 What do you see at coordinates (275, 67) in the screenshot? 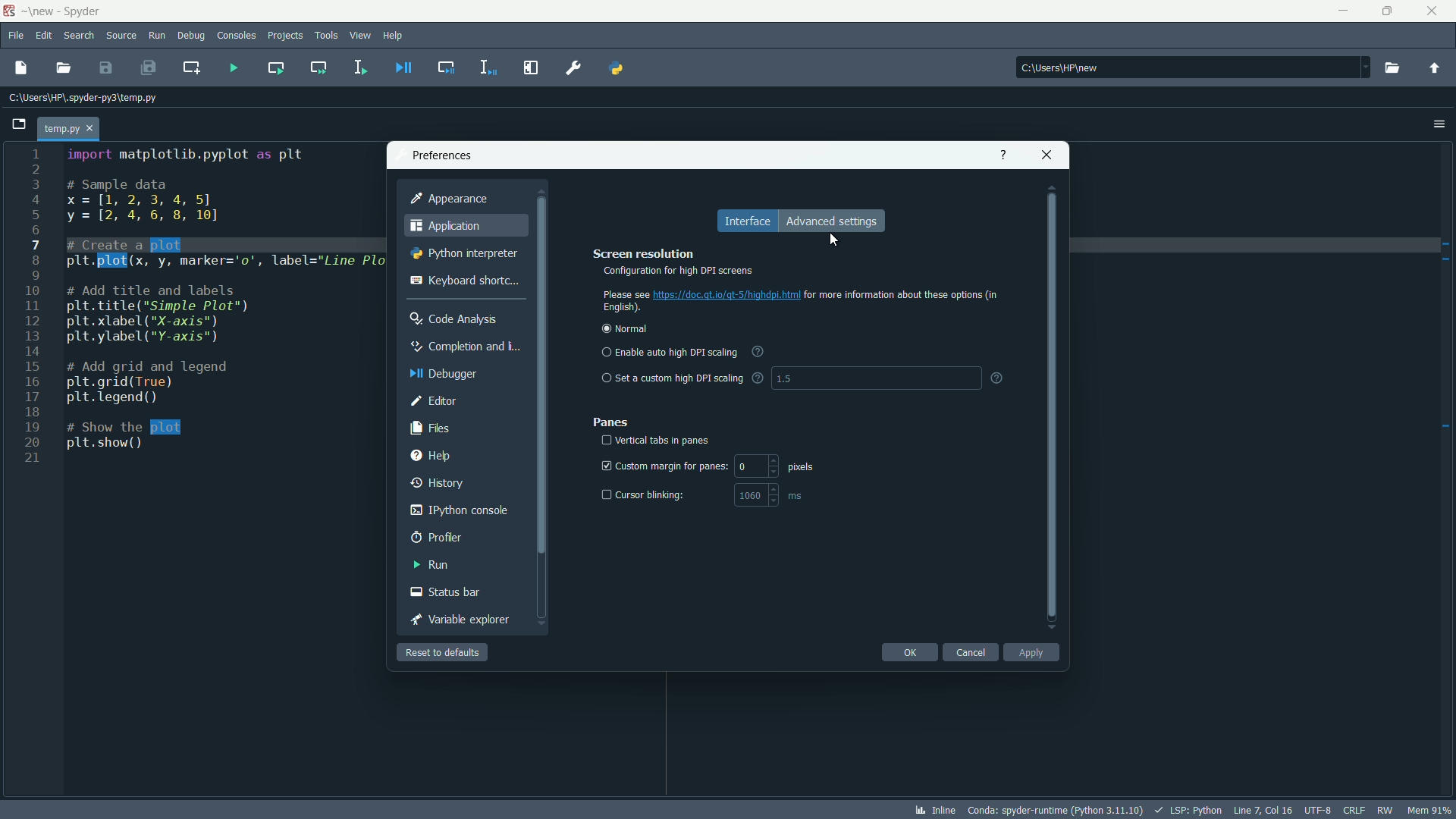
I see `run current cell` at bounding box center [275, 67].